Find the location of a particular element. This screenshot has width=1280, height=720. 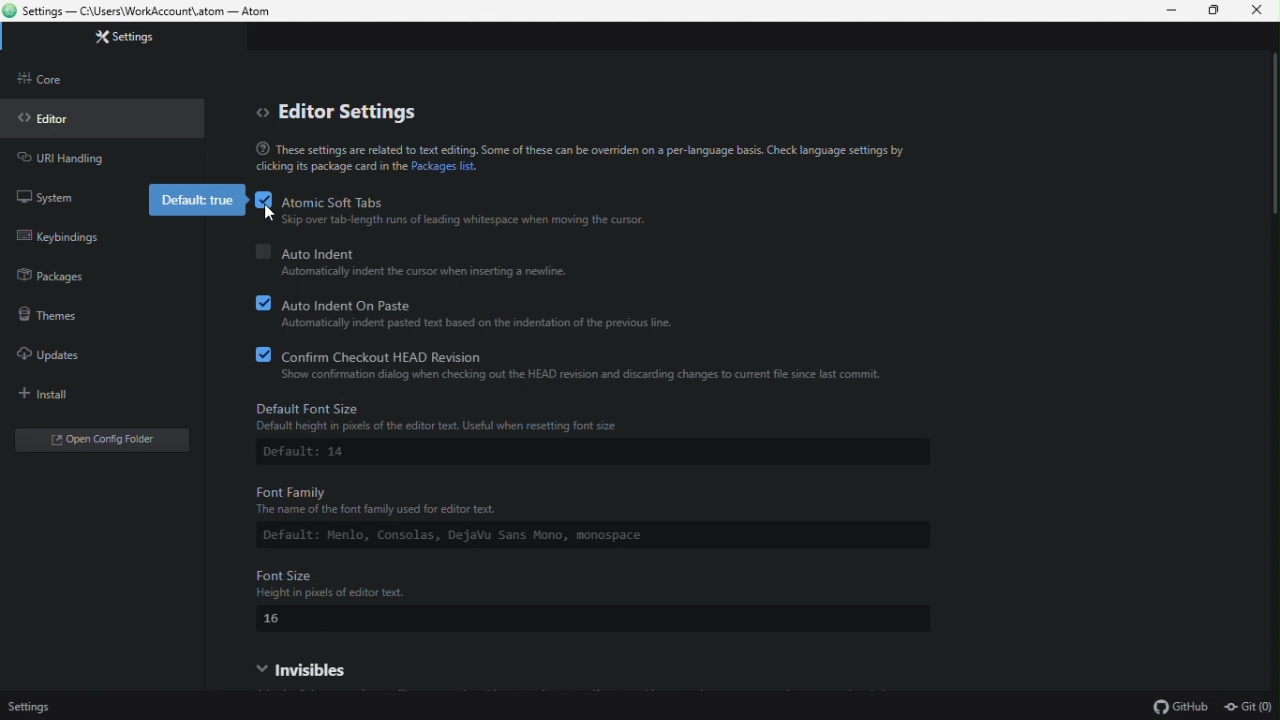

Update is located at coordinates (73, 351).